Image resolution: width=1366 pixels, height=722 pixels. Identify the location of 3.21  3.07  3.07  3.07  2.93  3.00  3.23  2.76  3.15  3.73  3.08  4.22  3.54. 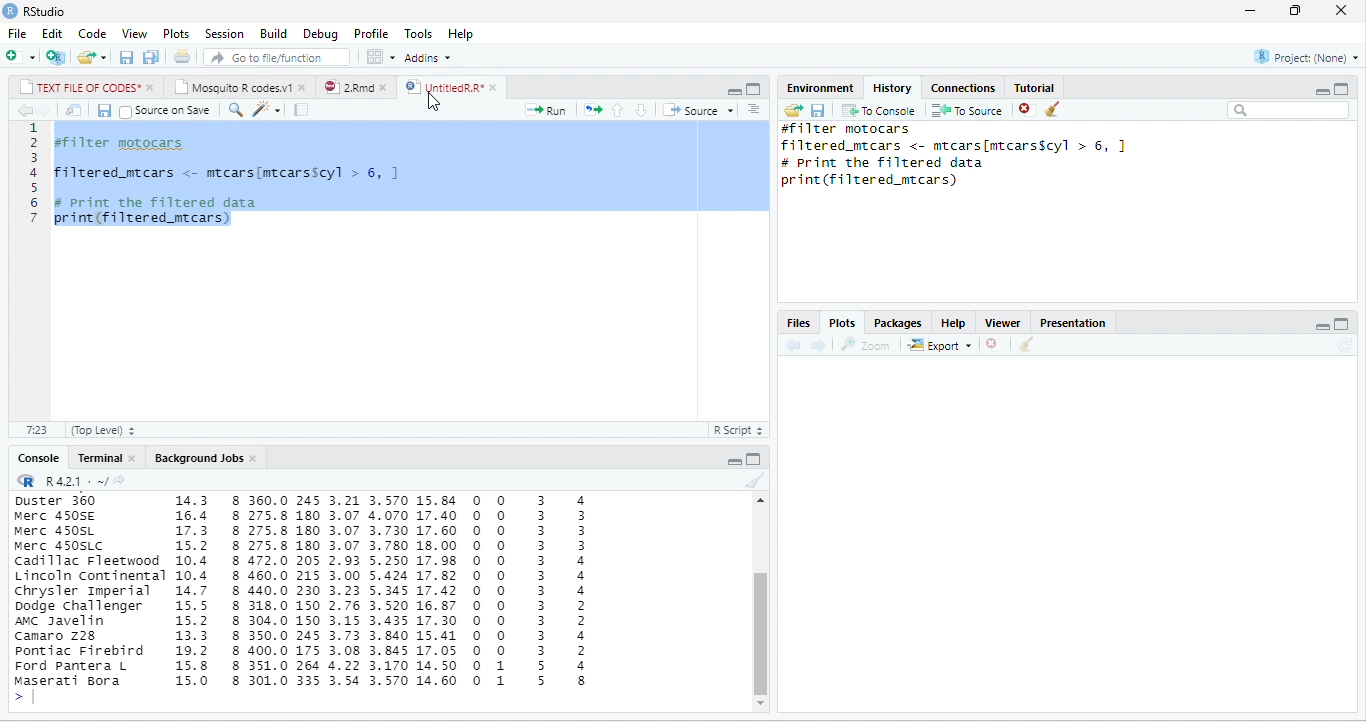
(344, 591).